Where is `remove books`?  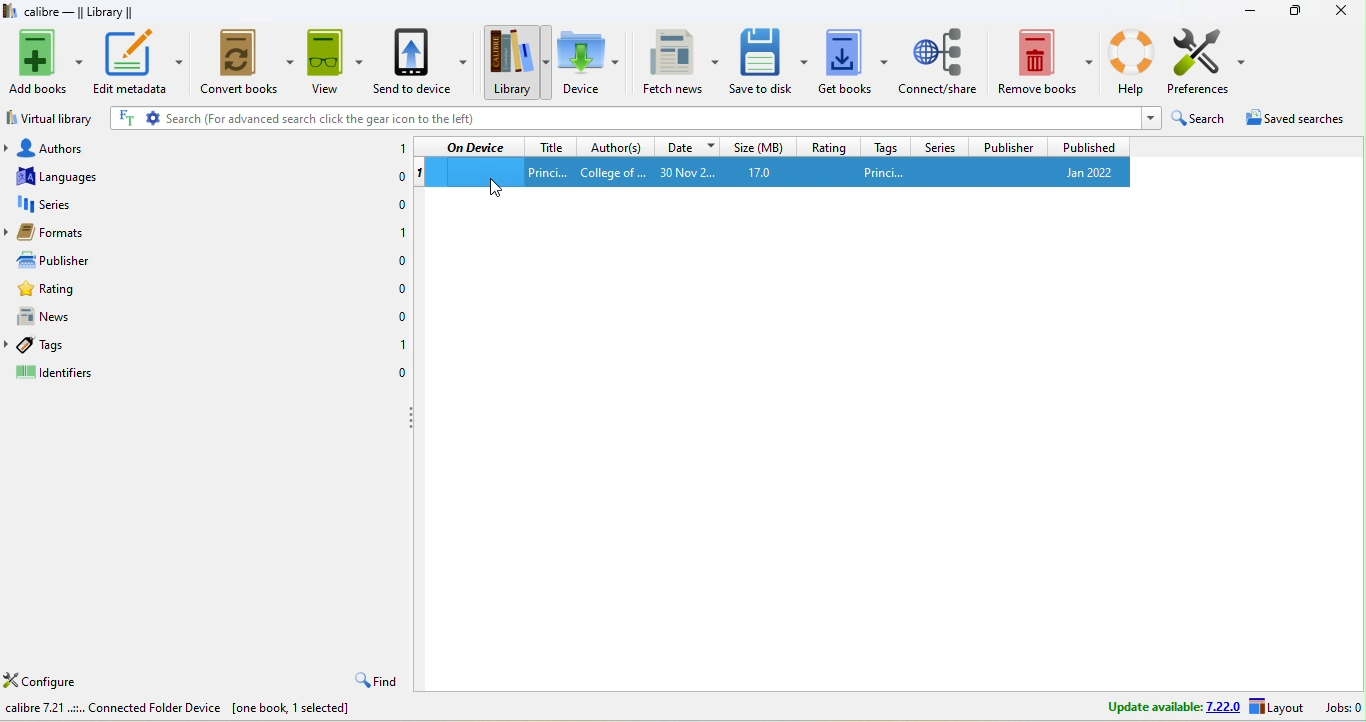 remove books is located at coordinates (1046, 59).